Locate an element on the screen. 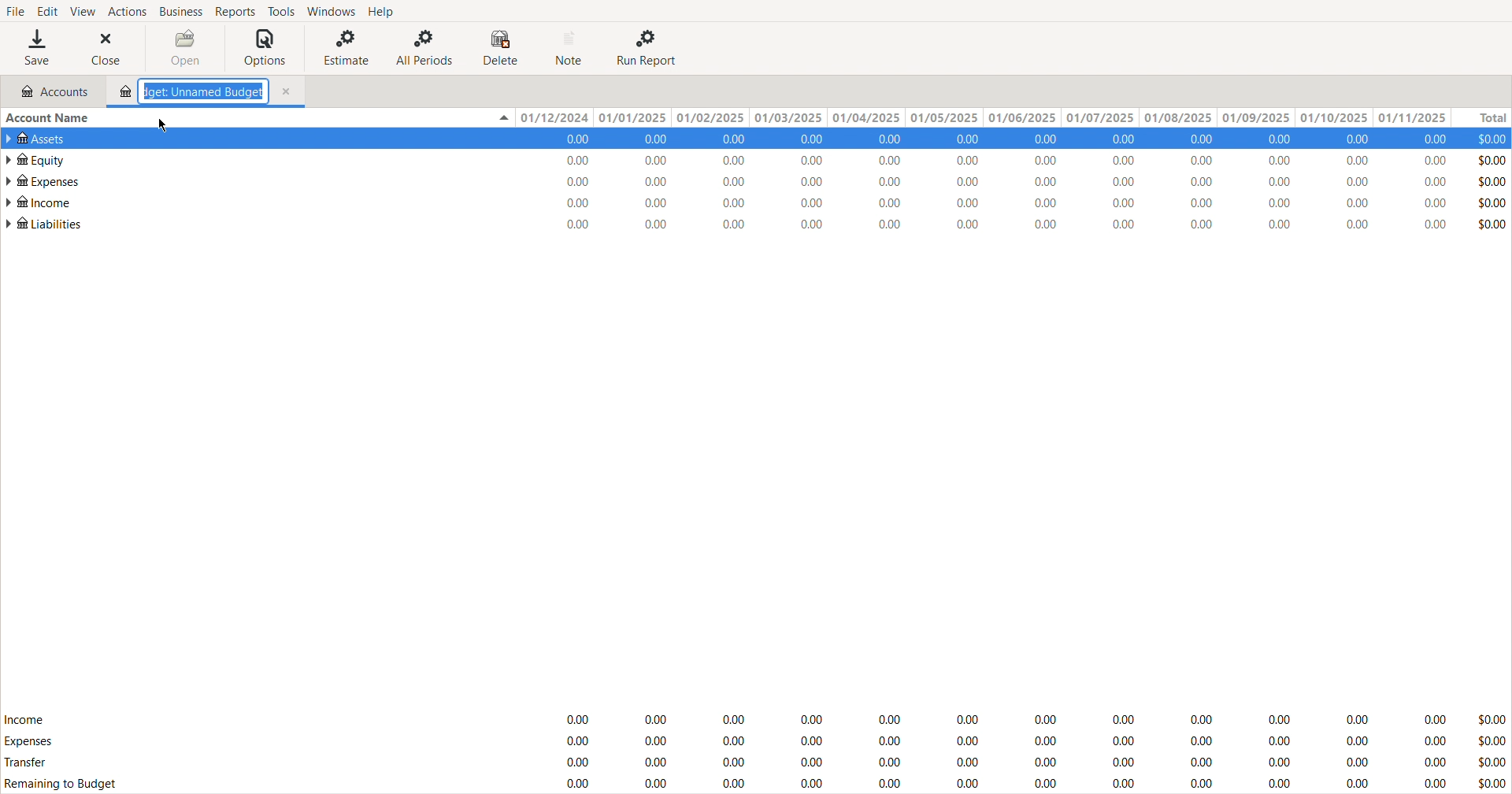 The width and height of the screenshot is (1512, 794). Assets is located at coordinates (41, 135).